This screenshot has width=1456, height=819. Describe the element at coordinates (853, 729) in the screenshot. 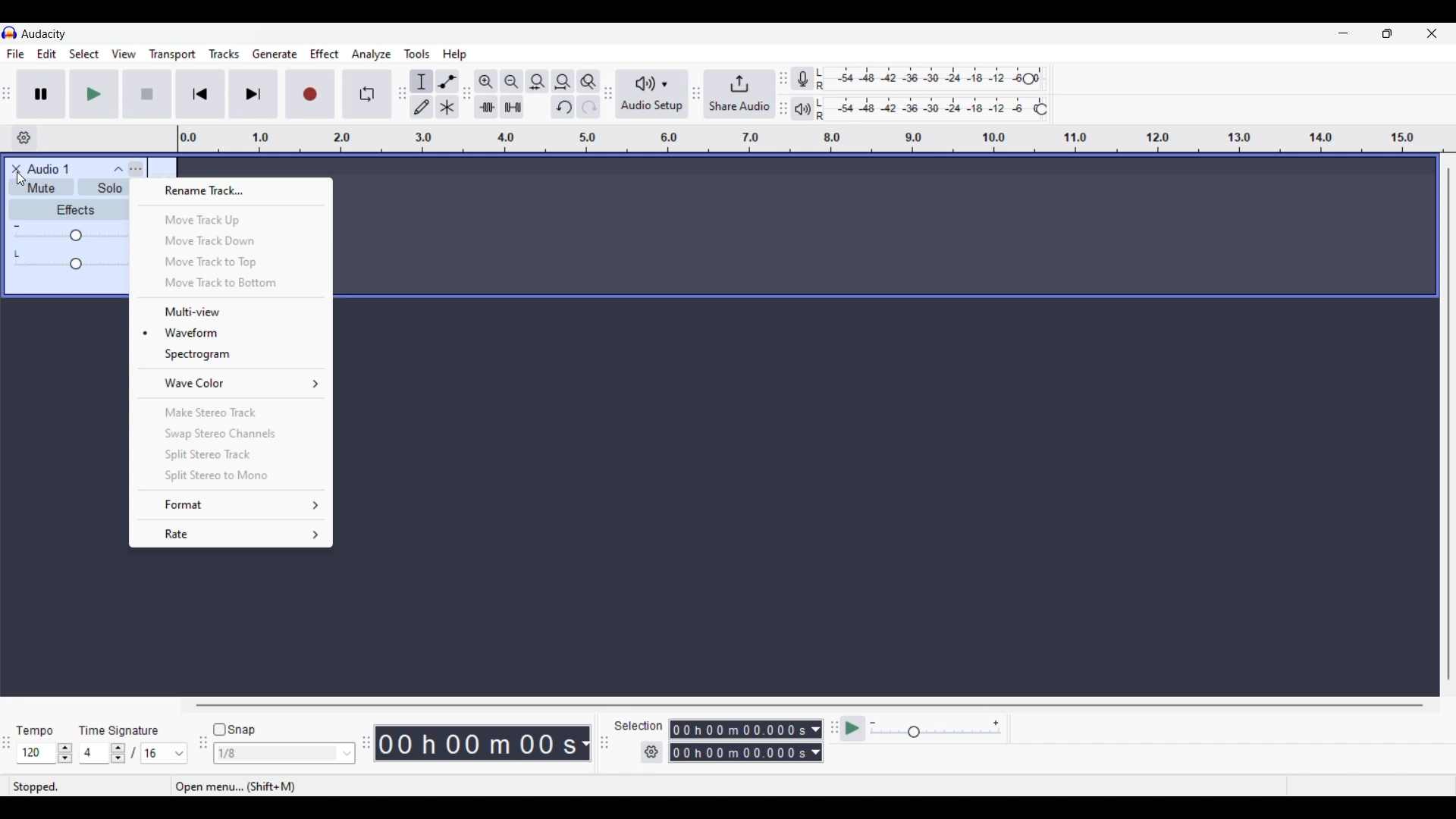

I see `Play-at-speed/Play-at-speed oncce` at that location.